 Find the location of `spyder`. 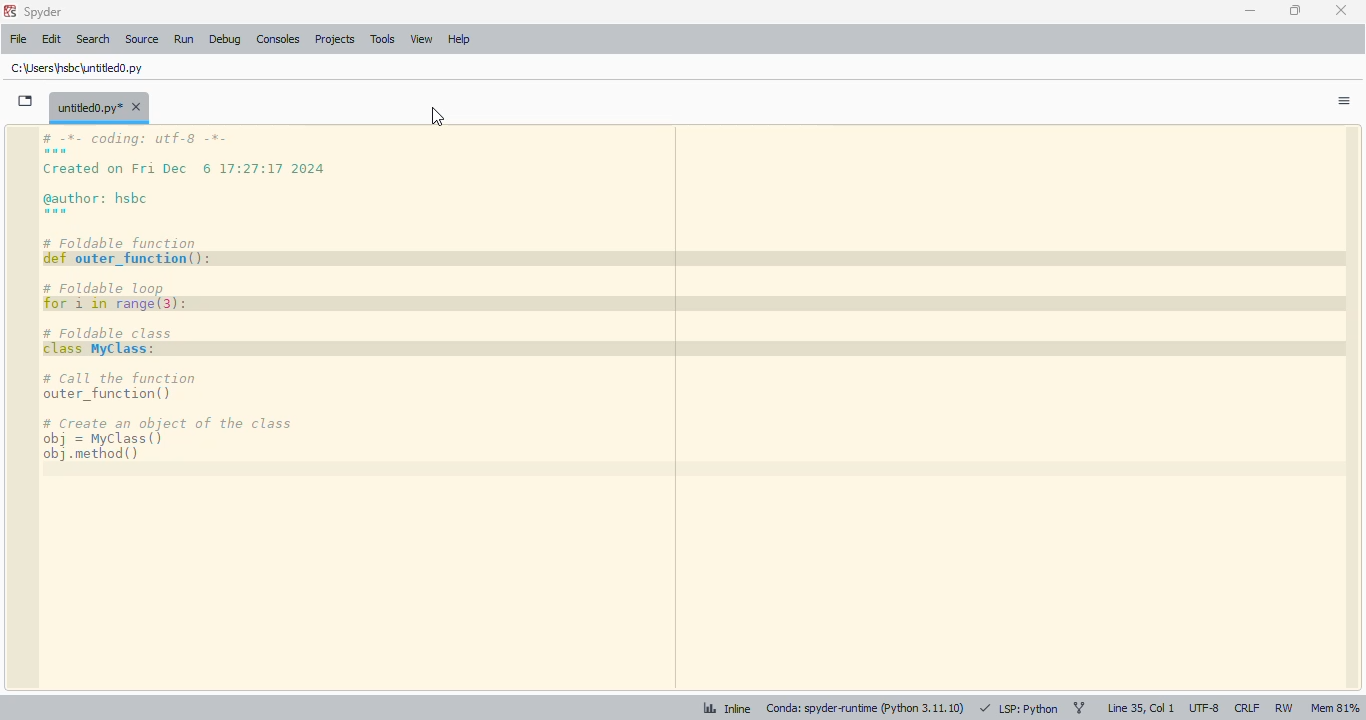

spyder is located at coordinates (43, 11).